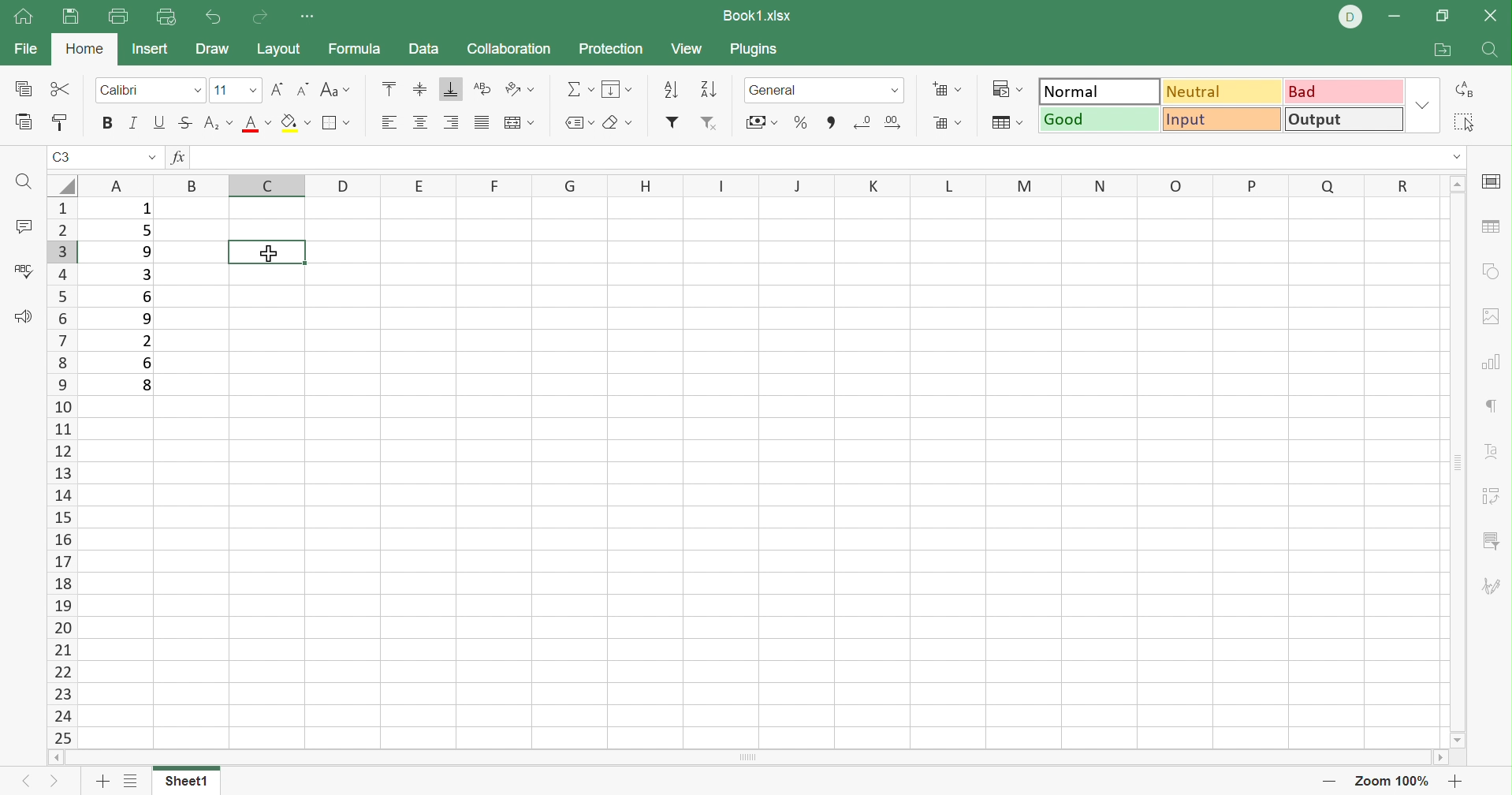  I want to click on Input, so click(1220, 120).